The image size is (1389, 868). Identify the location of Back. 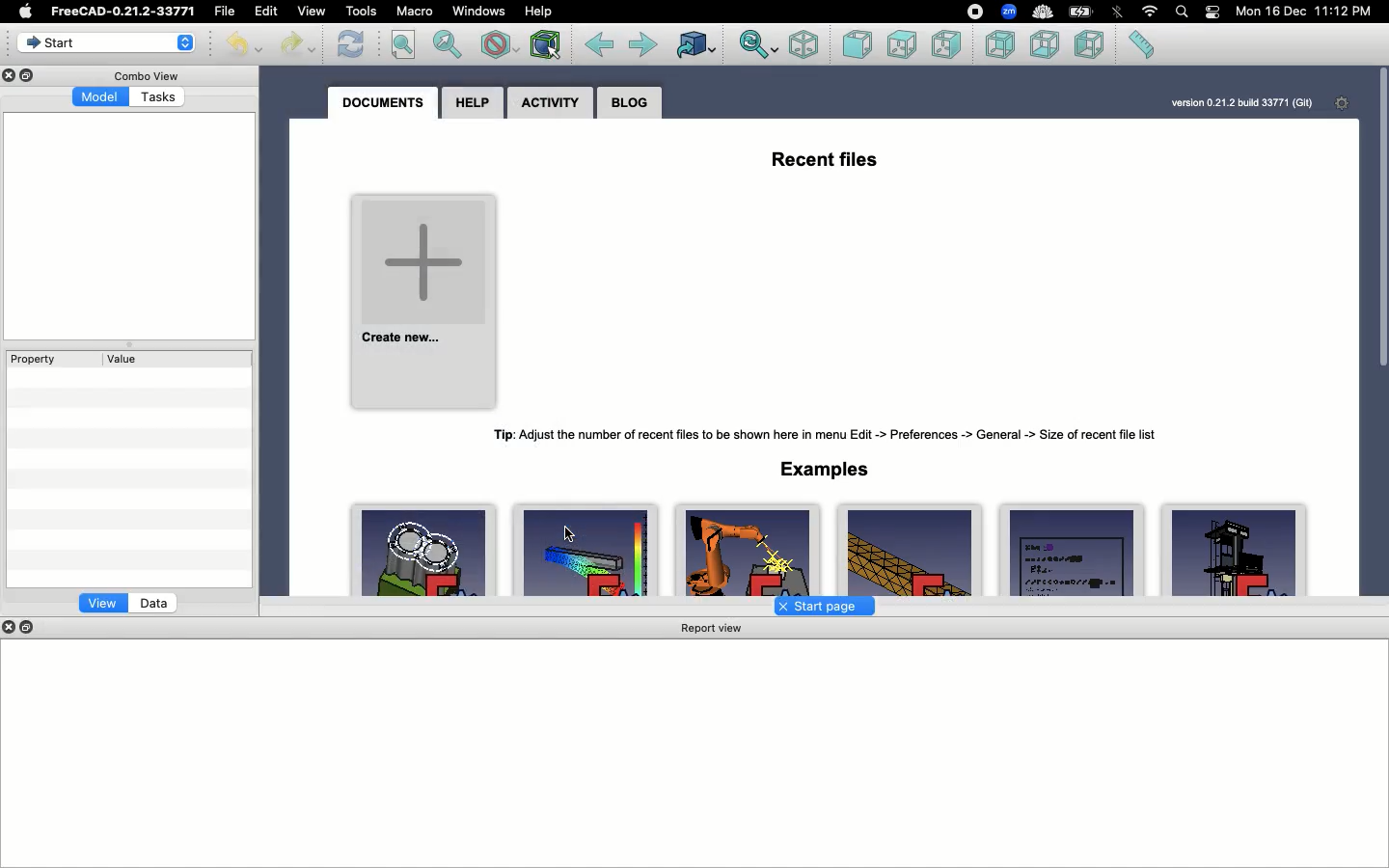
(596, 43).